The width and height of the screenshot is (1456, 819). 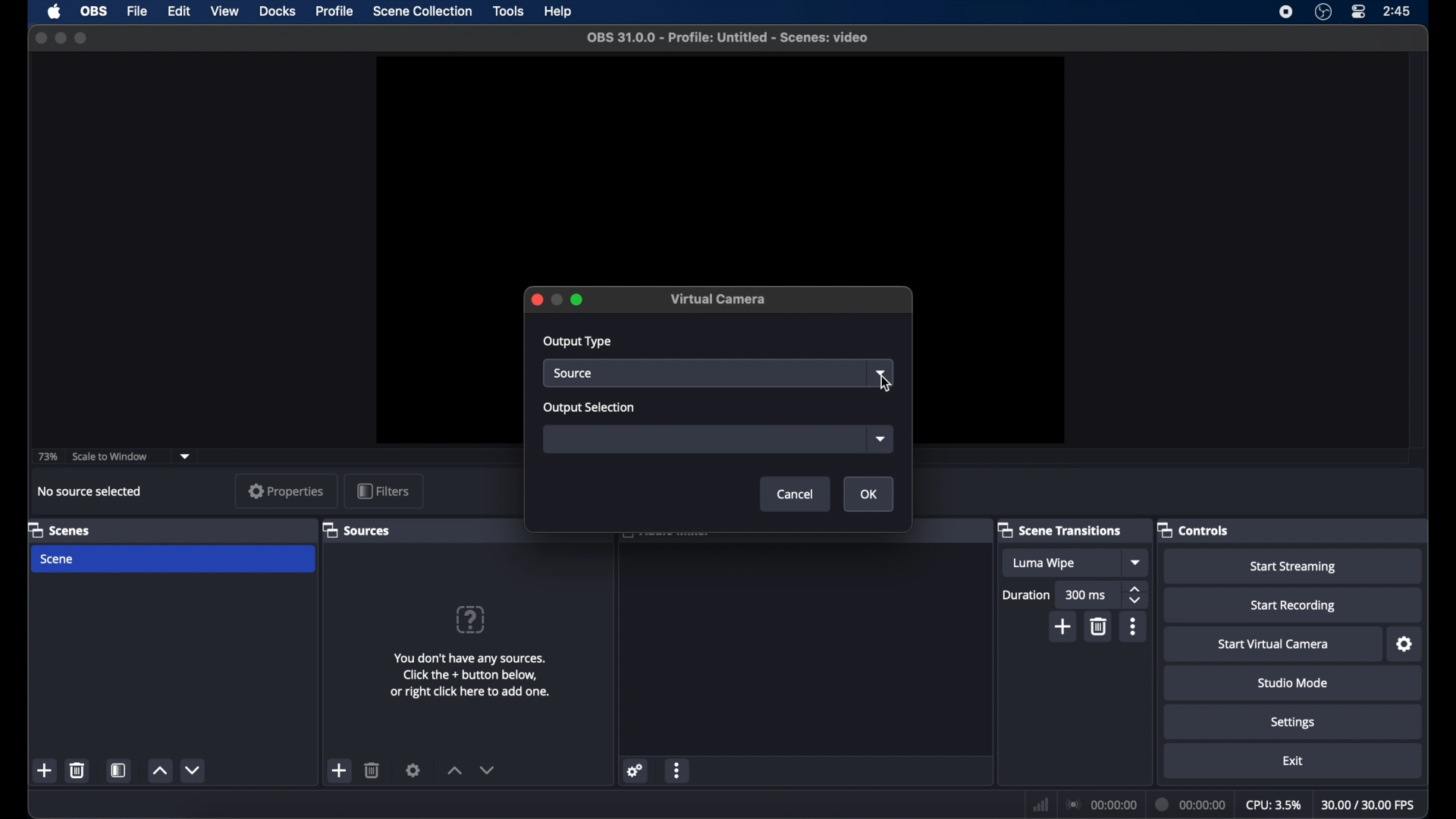 I want to click on decrement, so click(x=487, y=770).